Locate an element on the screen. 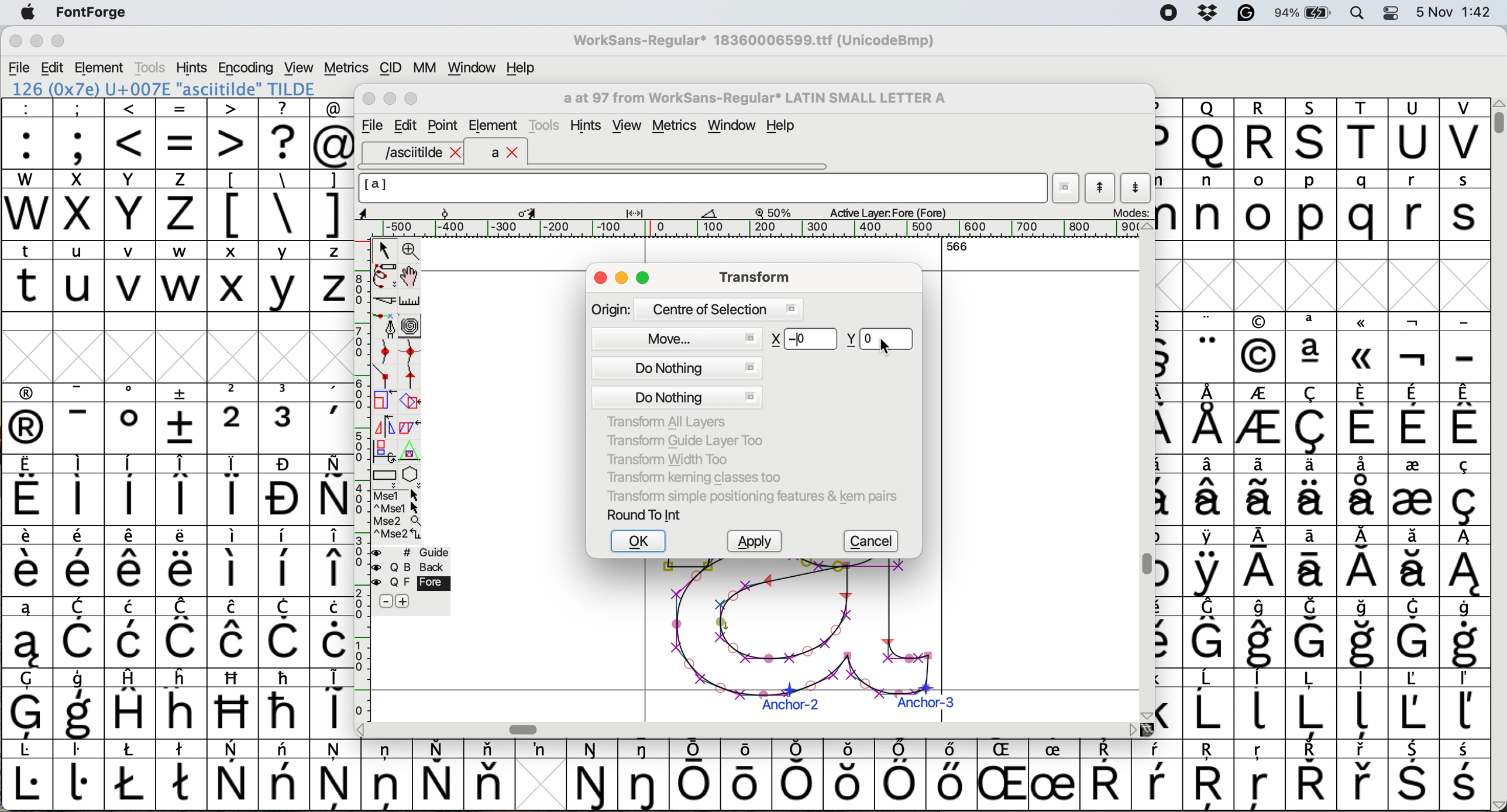 This screenshot has height=812, width=1507. symbol is located at coordinates (1211, 490).